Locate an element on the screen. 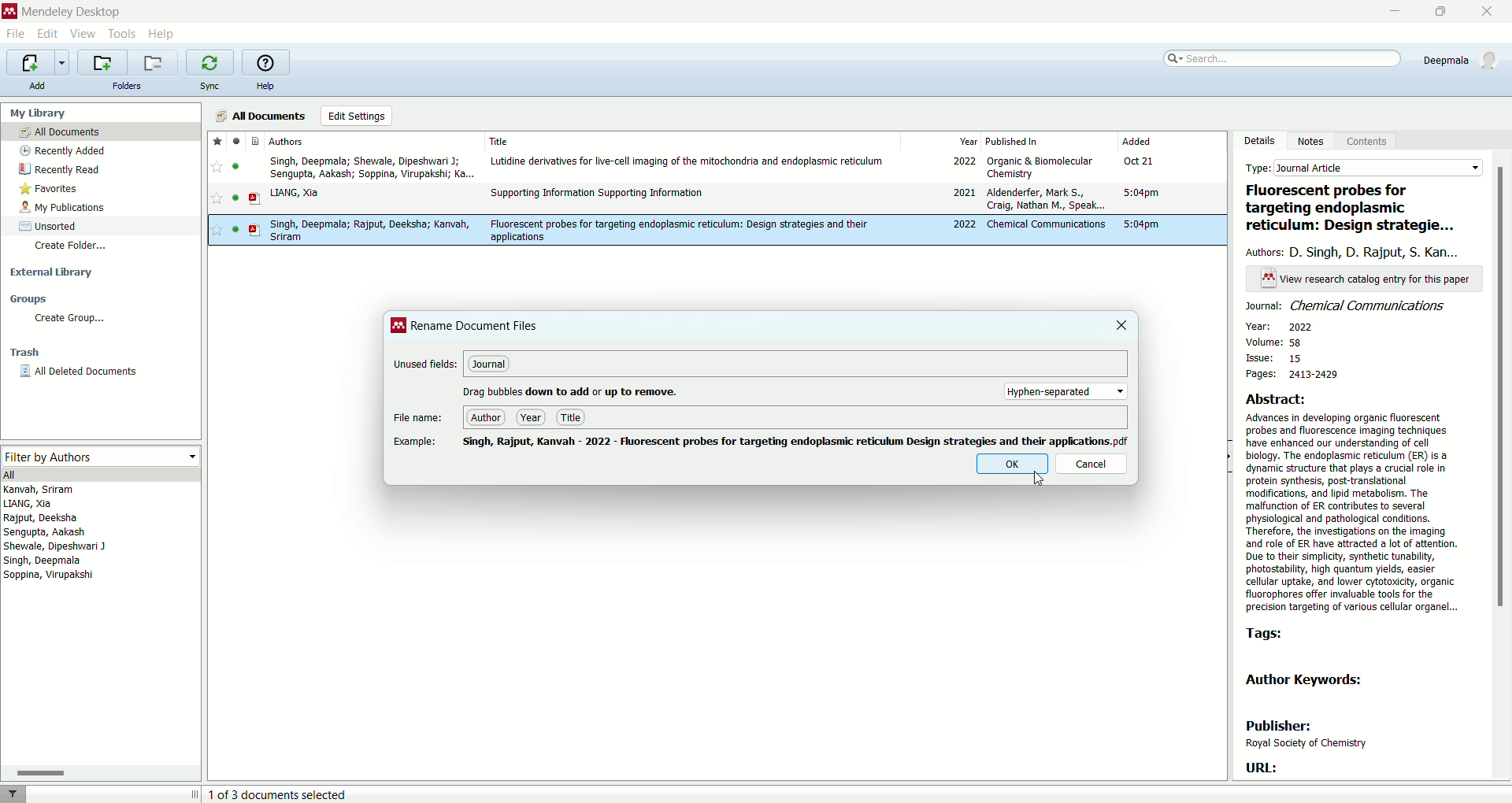 Image resolution: width=1512 pixels, height=803 pixels. authors is located at coordinates (63, 536).